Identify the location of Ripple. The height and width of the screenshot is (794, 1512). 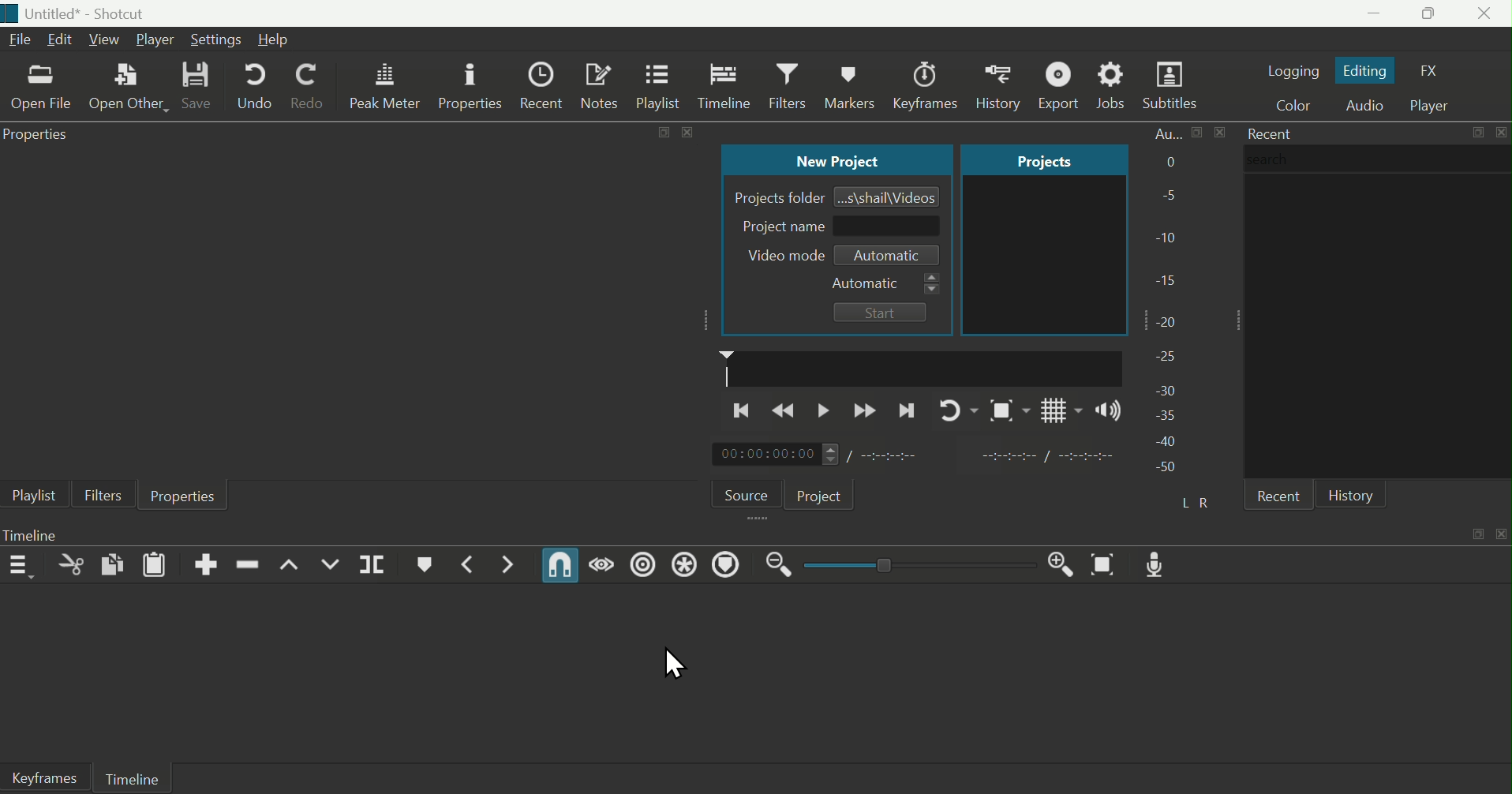
(642, 567).